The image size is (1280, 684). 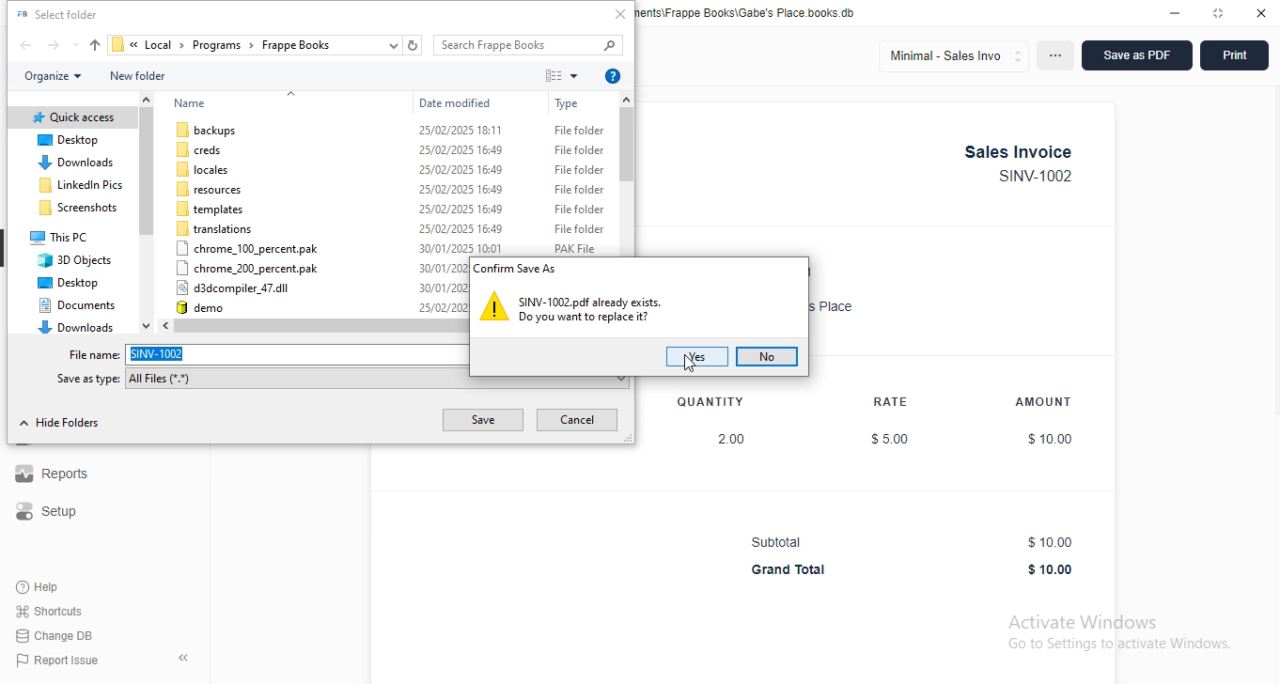 I want to click on get help, so click(x=613, y=76).